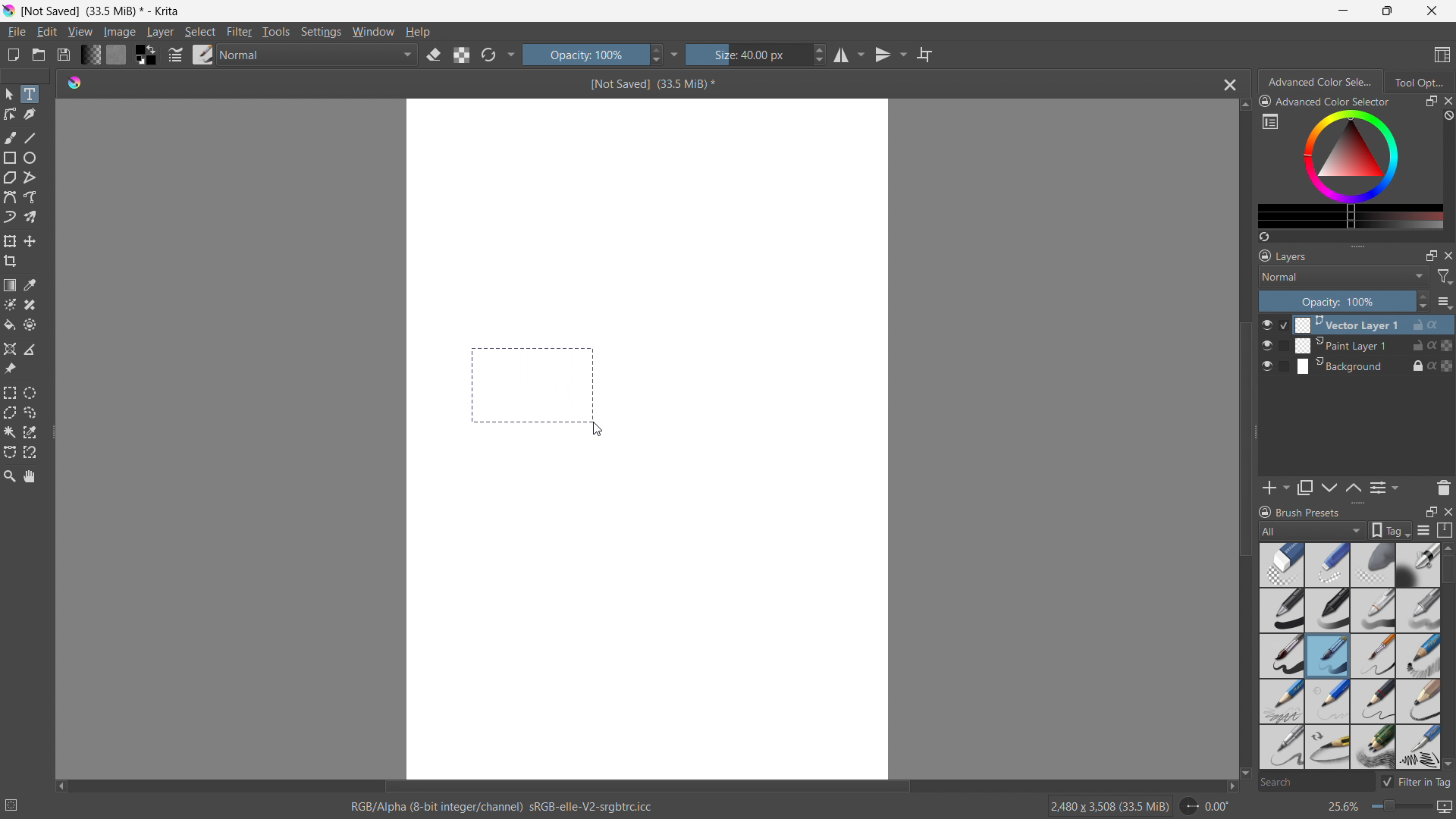  Describe the element at coordinates (1417, 747) in the screenshot. I see `pencil` at that location.